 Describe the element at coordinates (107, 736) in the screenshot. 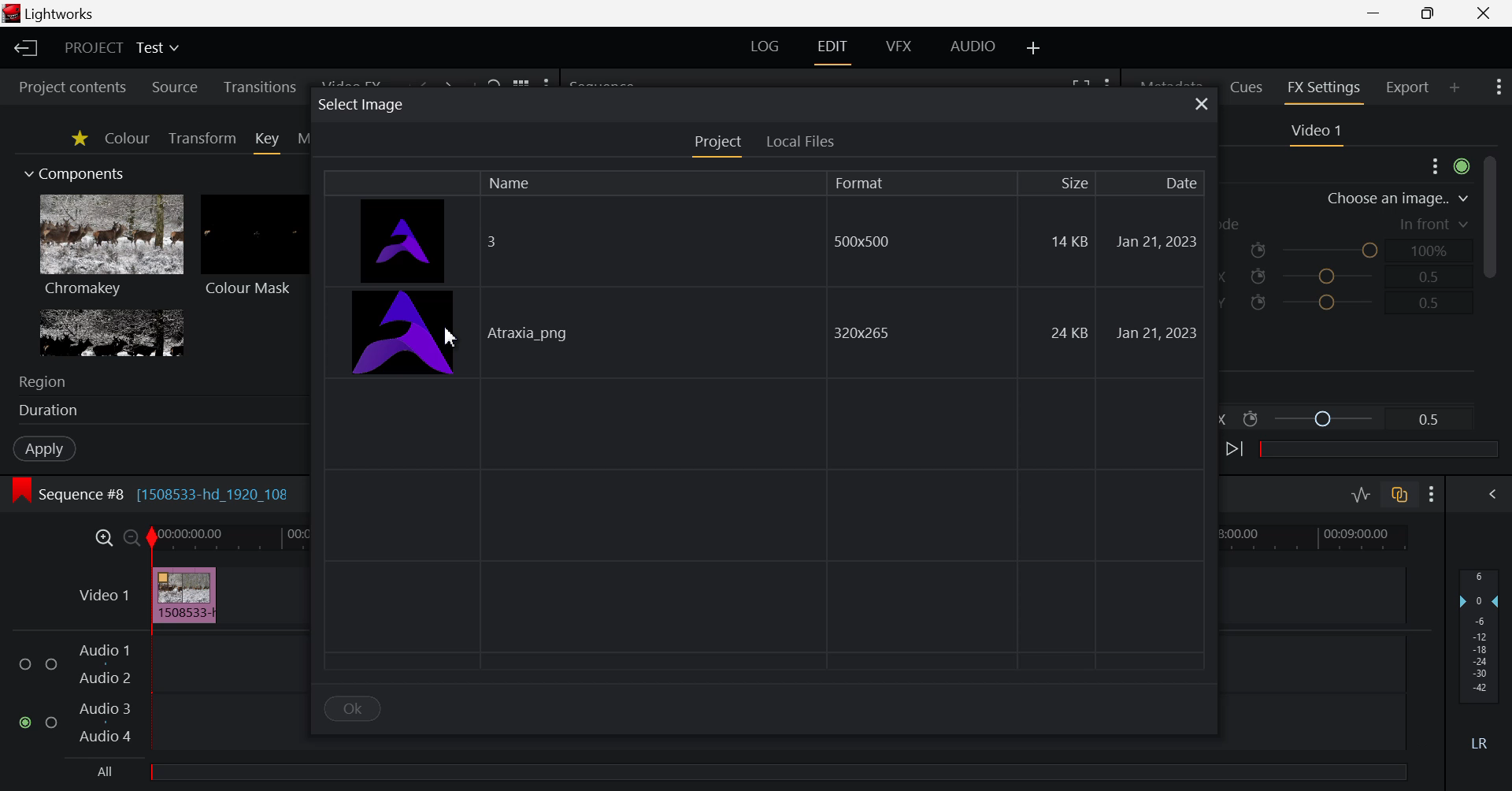

I see `Audio 4` at that location.